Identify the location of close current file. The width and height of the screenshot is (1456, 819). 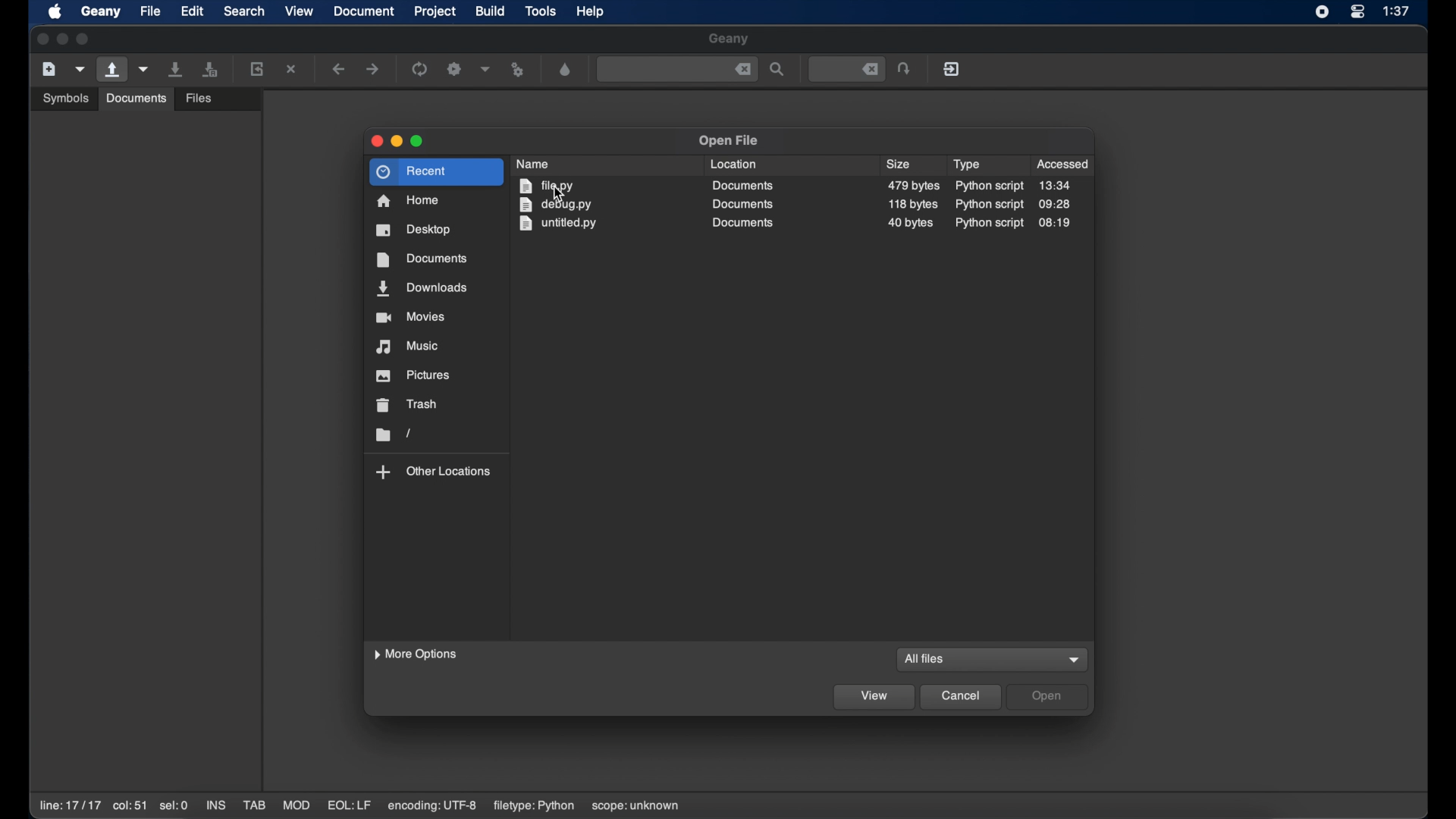
(293, 69).